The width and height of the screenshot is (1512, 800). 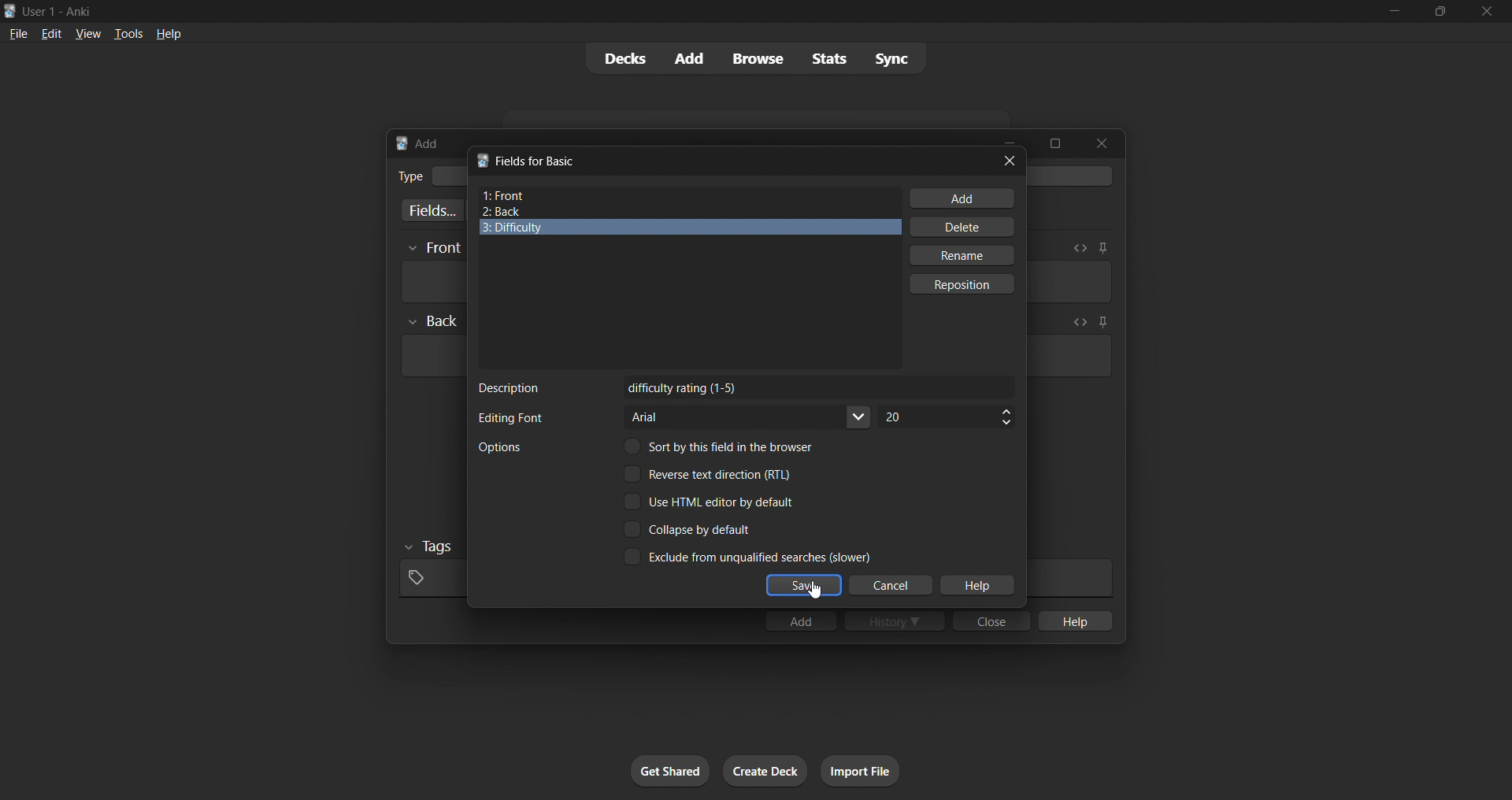 I want to click on Anki logo, so click(x=10, y=11).